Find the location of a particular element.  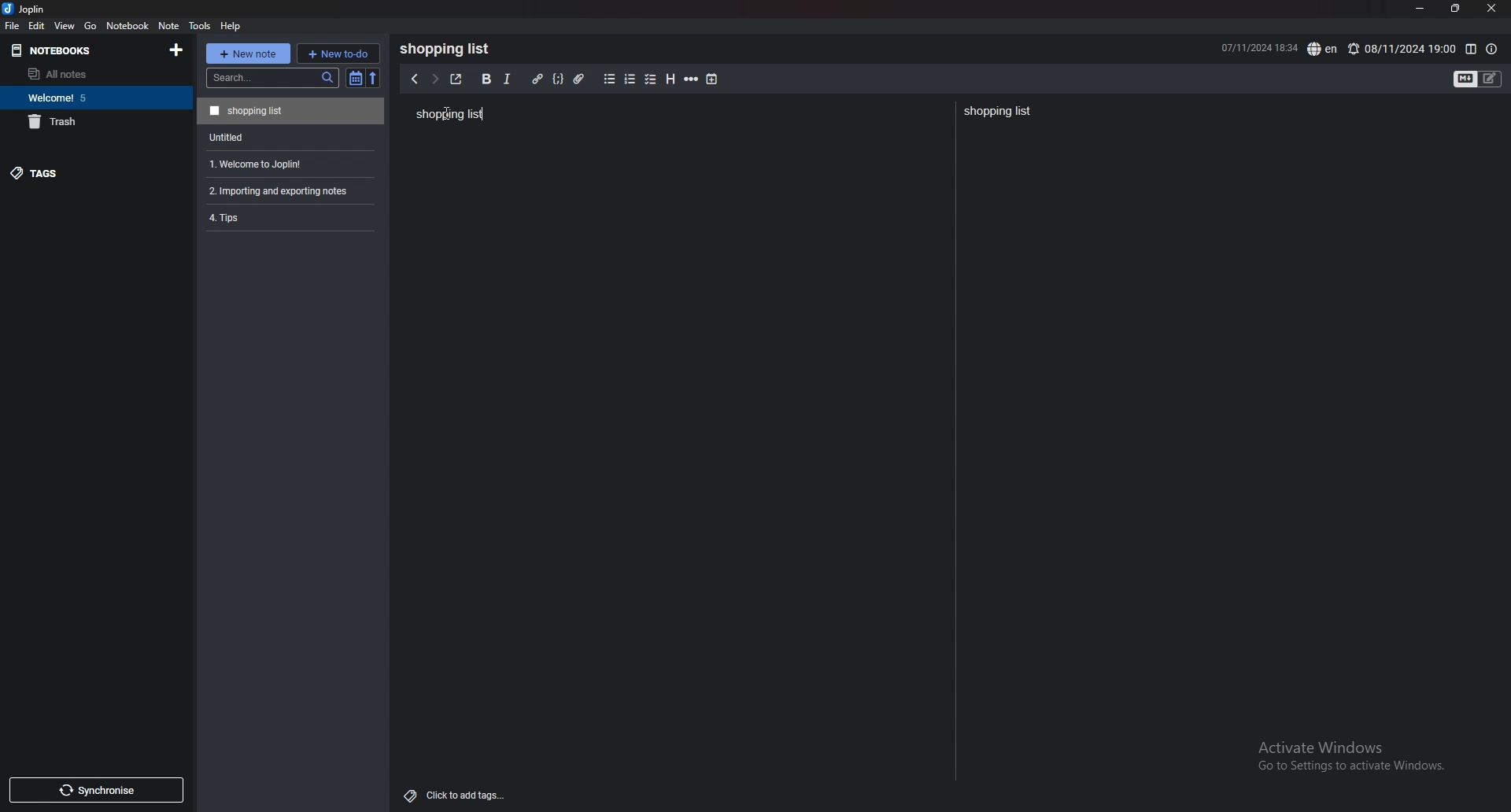

Shopping list is located at coordinates (290, 110).